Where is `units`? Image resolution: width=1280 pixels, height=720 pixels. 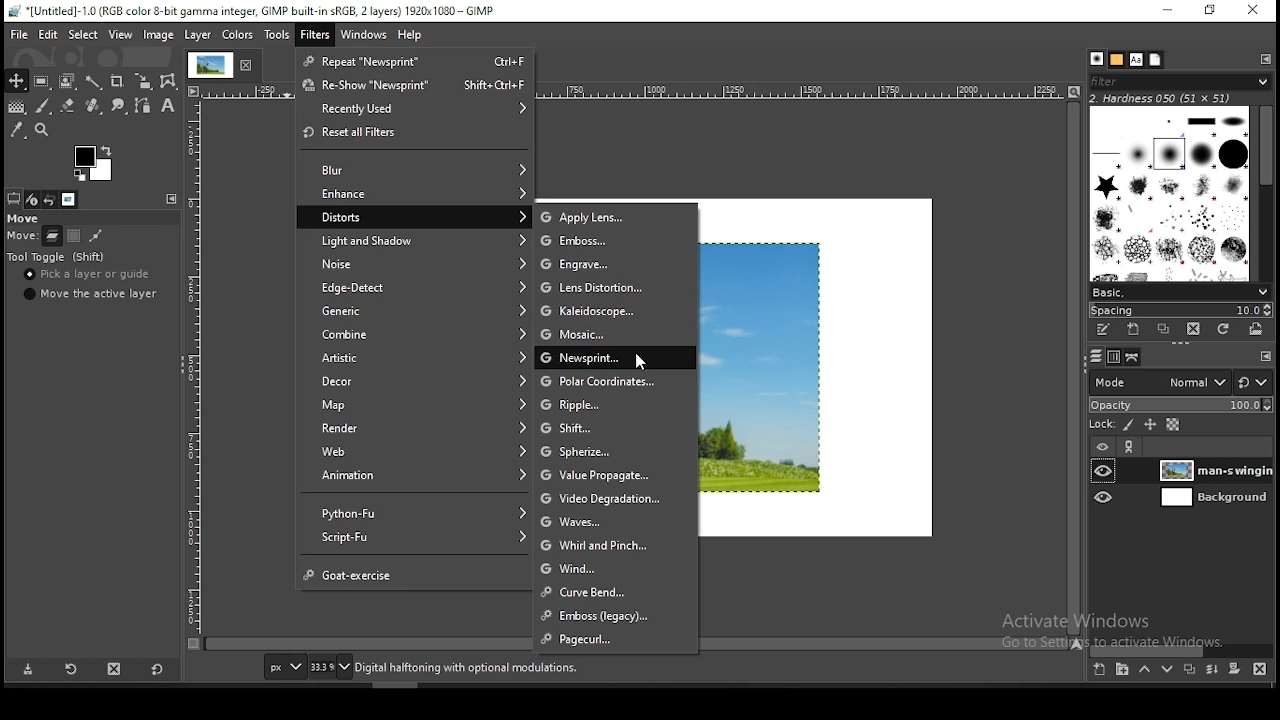
units is located at coordinates (284, 667).